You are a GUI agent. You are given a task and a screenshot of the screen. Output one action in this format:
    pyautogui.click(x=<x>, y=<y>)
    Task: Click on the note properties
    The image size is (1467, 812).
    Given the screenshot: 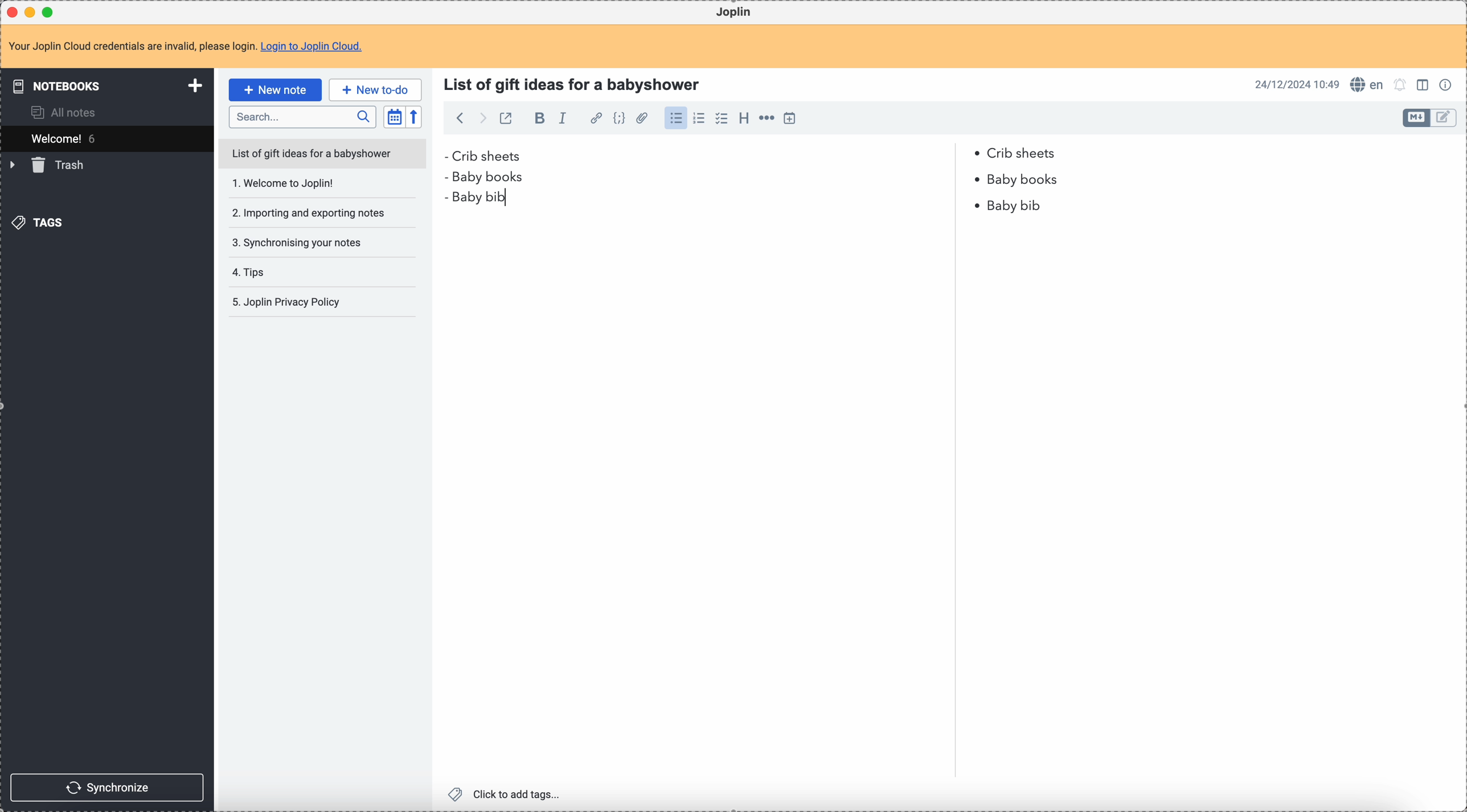 What is the action you would take?
    pyautogui.click(x=1448, y=84)
    